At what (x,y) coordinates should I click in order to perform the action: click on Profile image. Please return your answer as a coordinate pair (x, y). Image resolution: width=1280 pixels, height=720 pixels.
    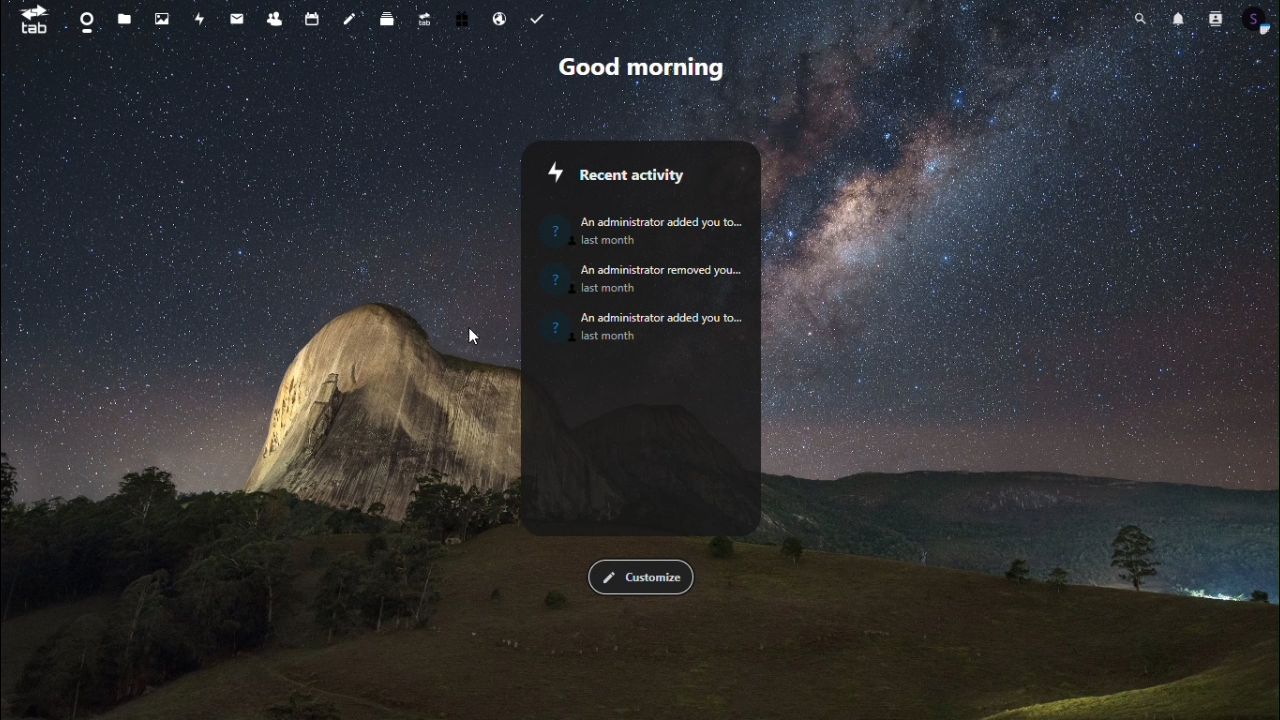
    Looking at the image, I should click on (551, 232).